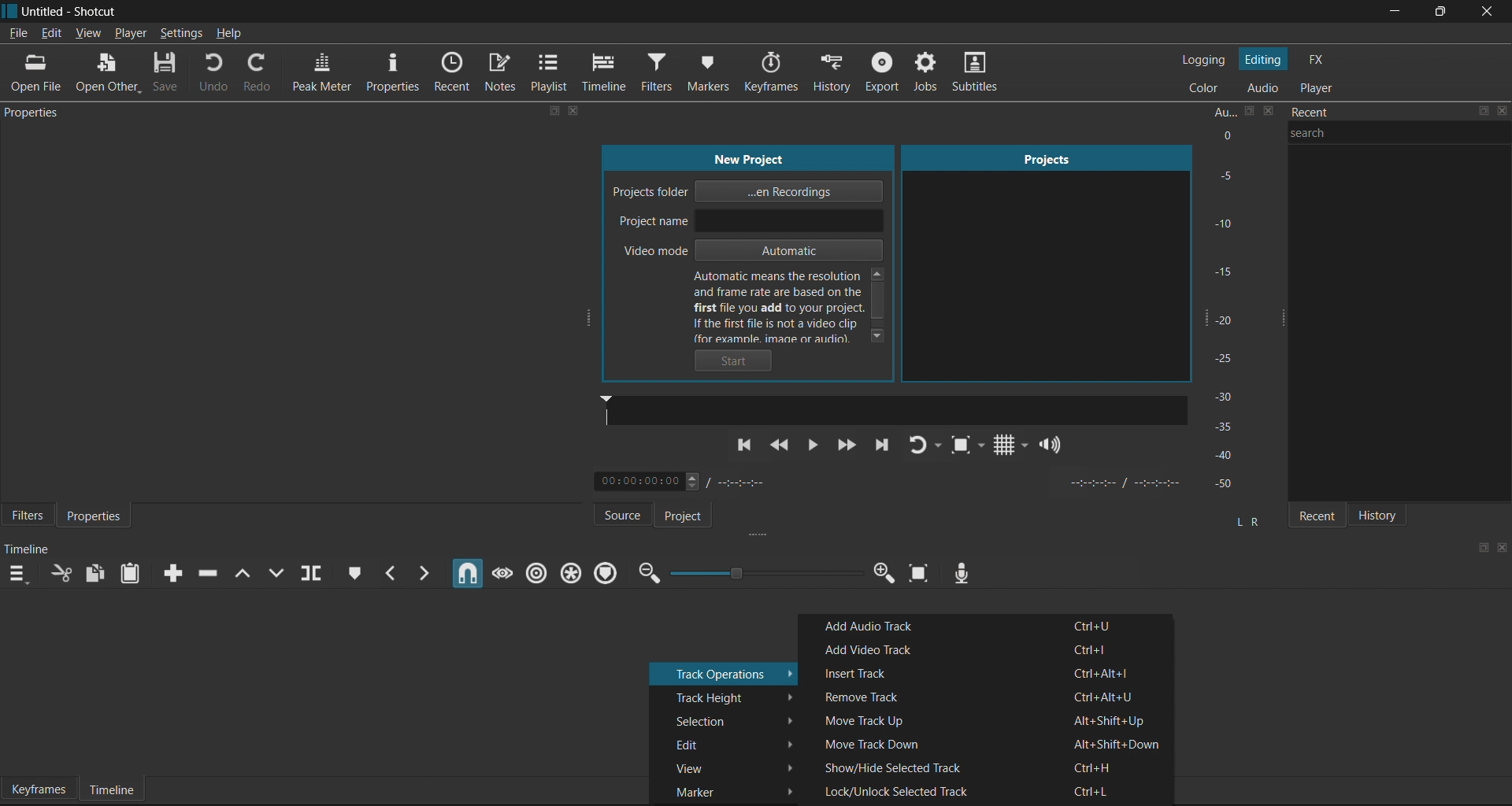 The height and width of the screenshot is (806, 1512). What do you see at coordinates (1263, 60) in the screenshot?
I see `Editing` at bounding box center [1263, 60].